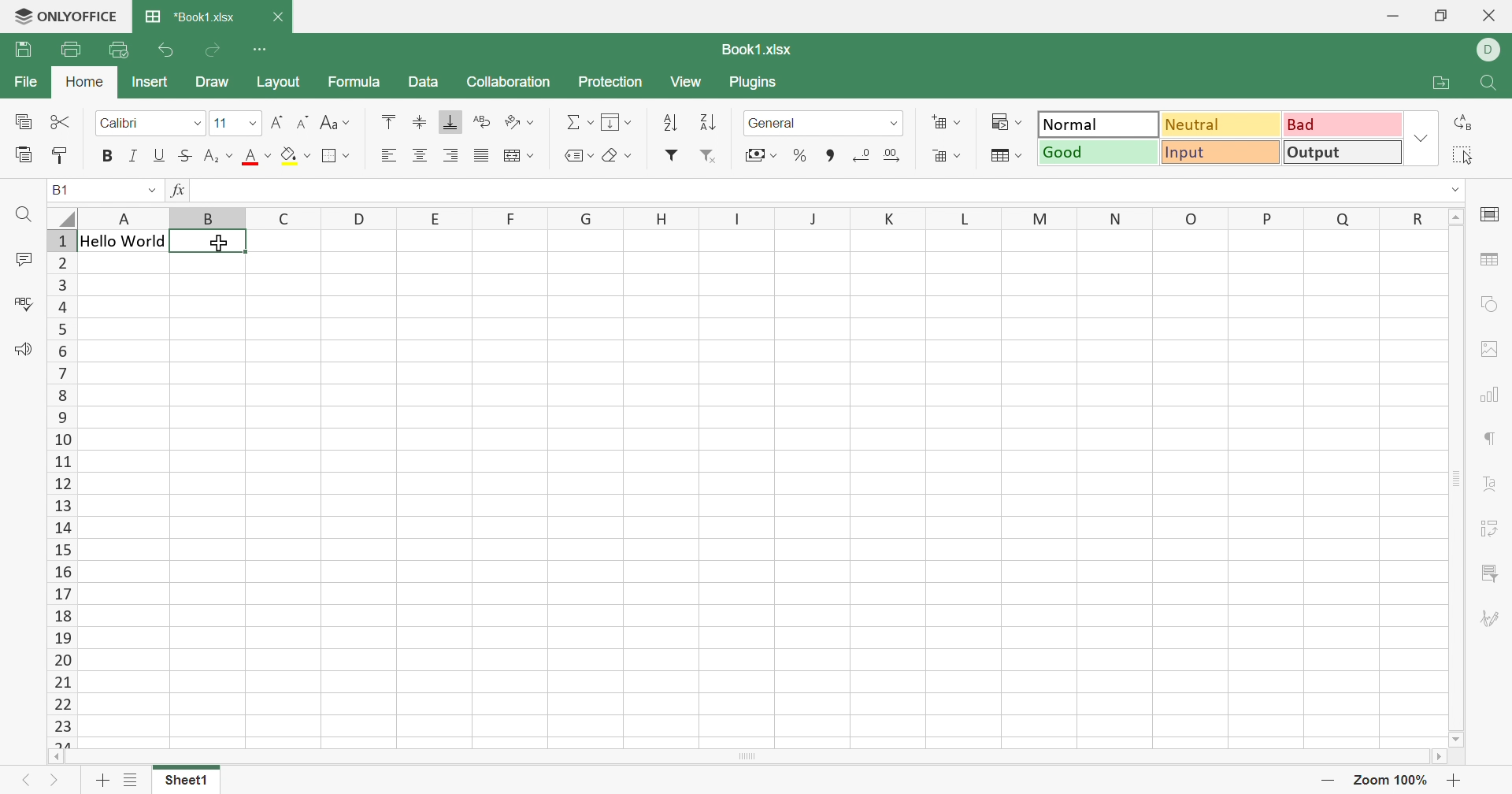  I want to click on Input, so click(1220, 150).